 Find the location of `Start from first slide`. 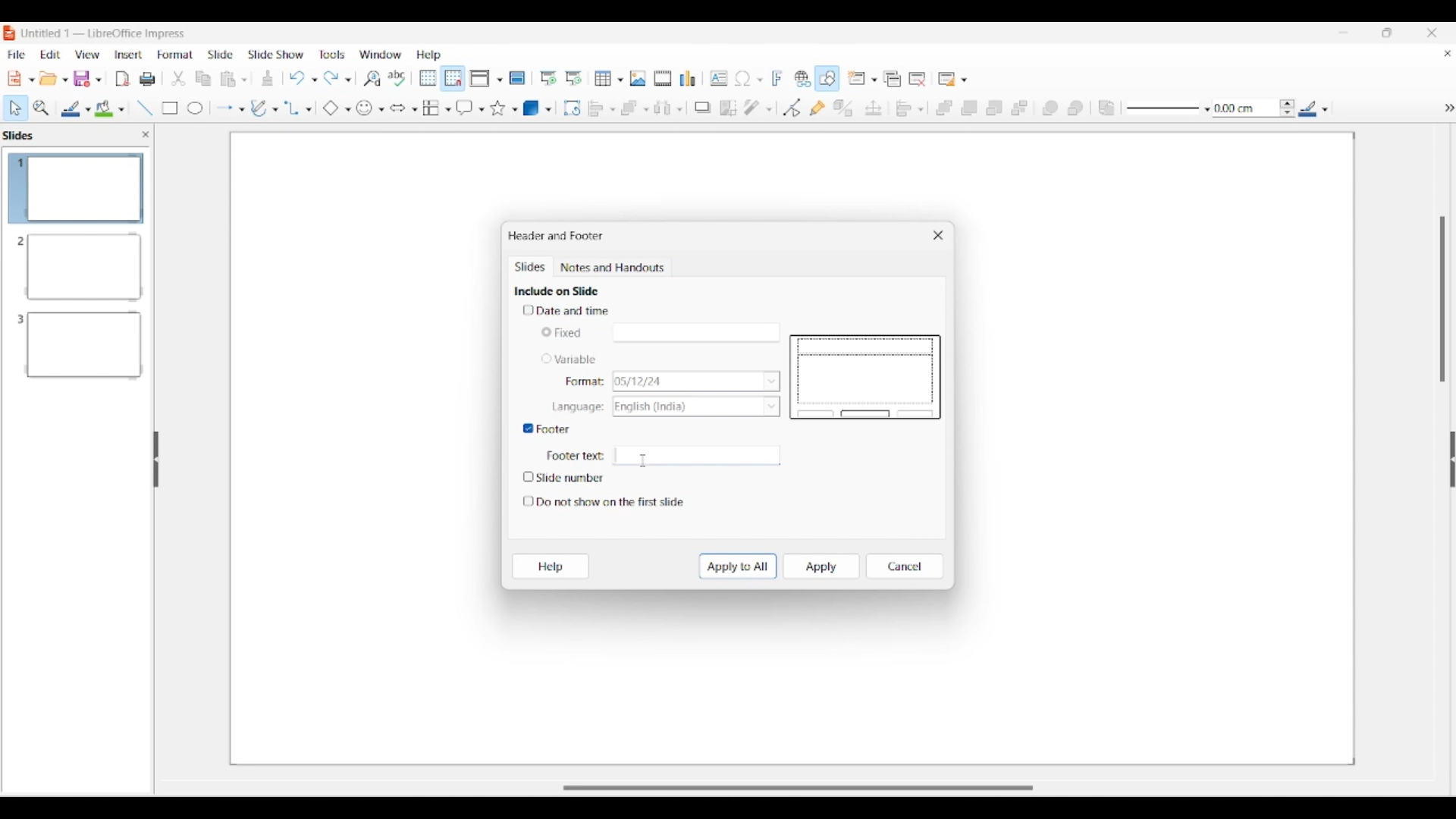

Start from first slide is located at coordinates (548, 78).